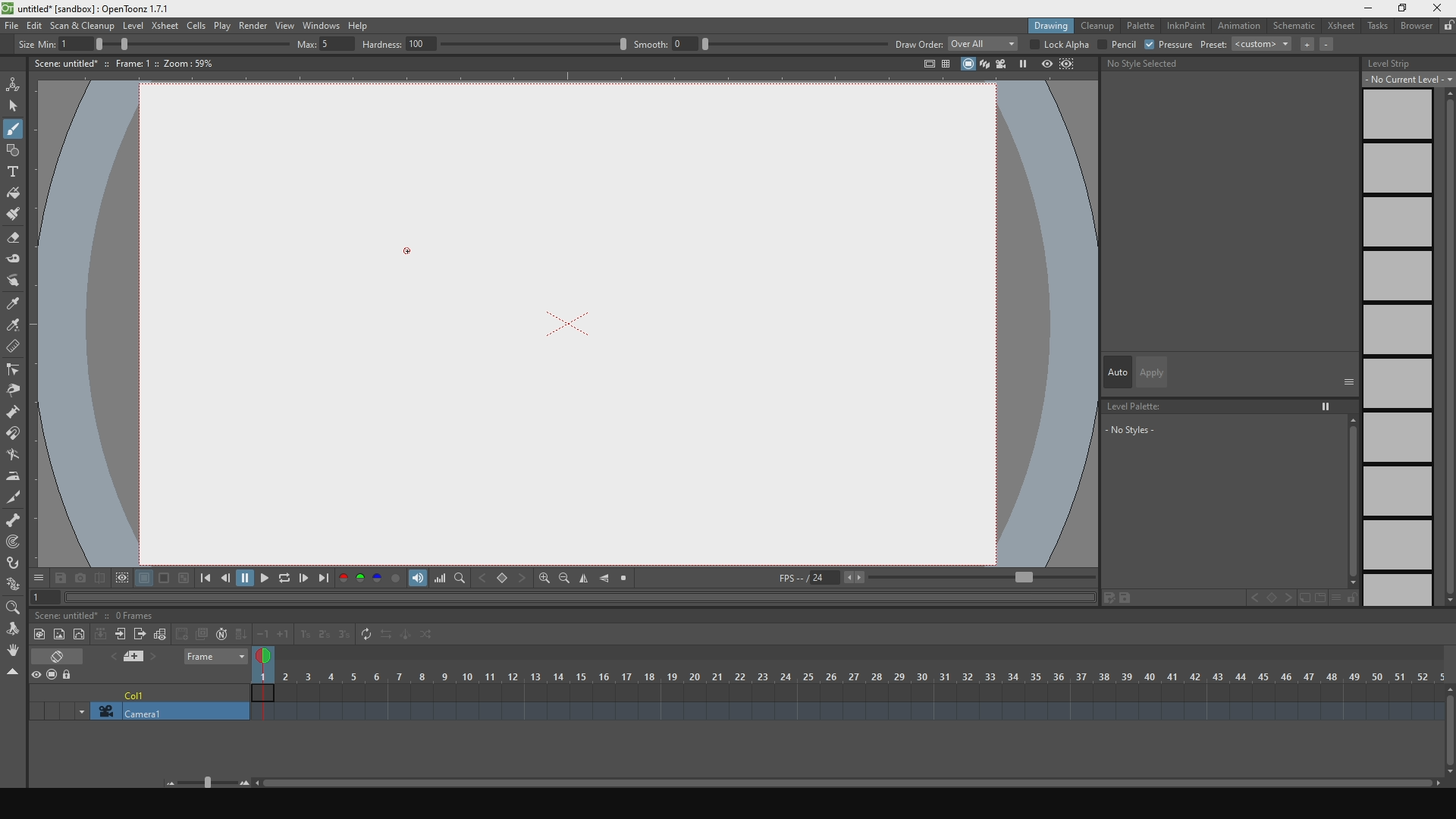 The width and height of the screenshot is (1456, 819). I want to click on select, so click(14, 106).